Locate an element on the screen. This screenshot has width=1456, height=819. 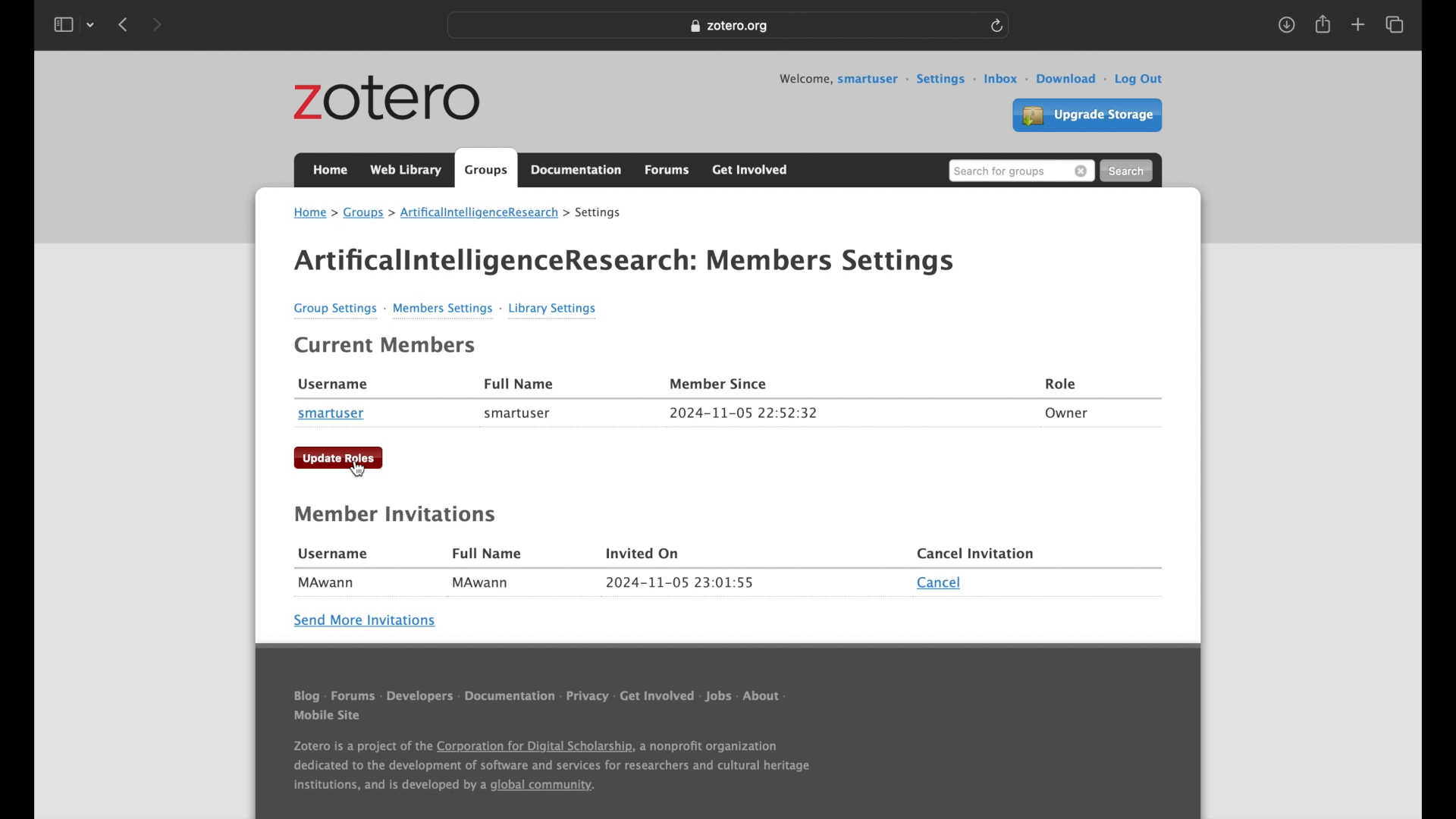
refresh is located at coordinates (1000, 26).